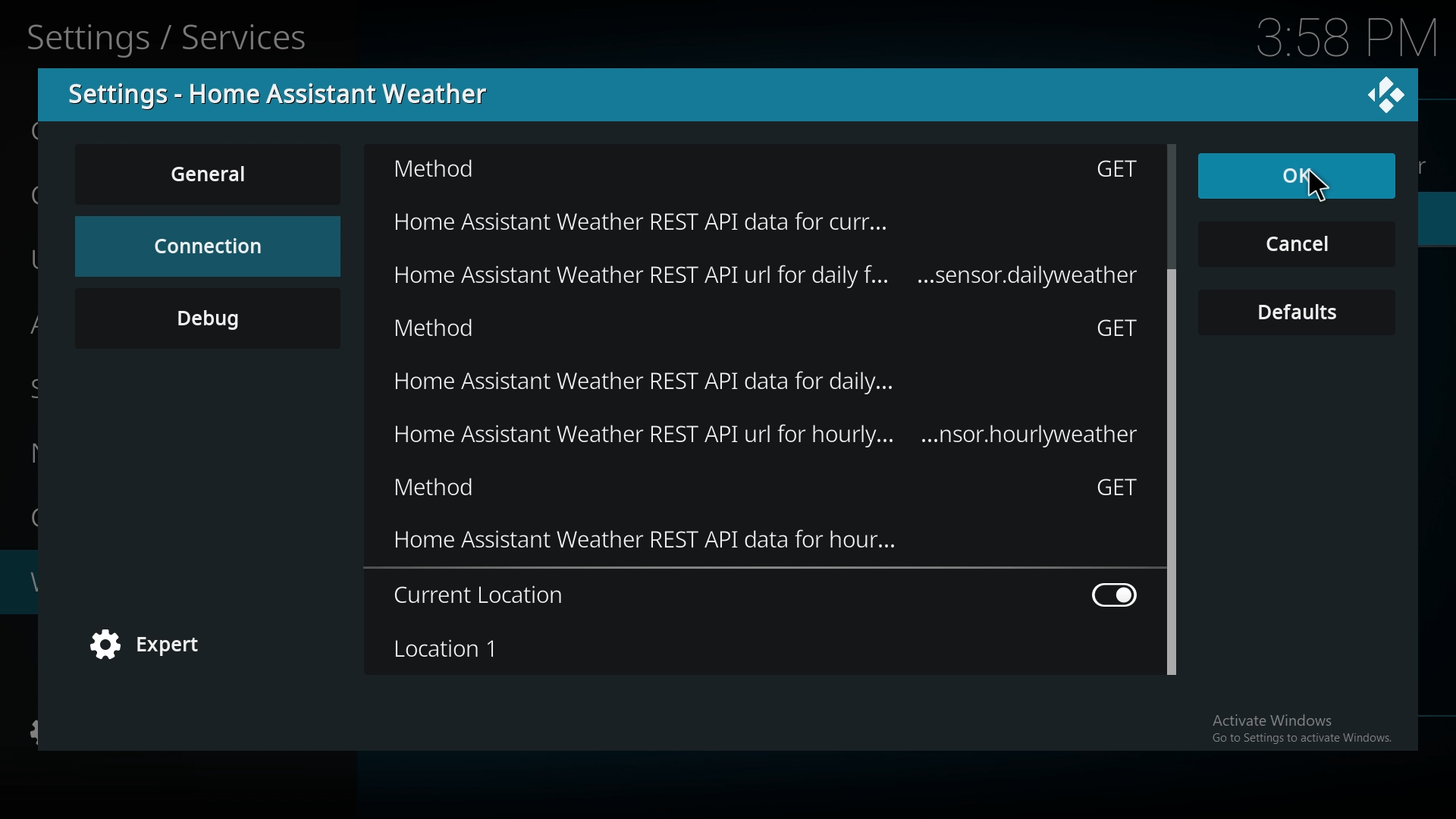 The width and height of the screenshot is (1456, 819). I want to click on settings - home assistant weather, so click(287, 94).